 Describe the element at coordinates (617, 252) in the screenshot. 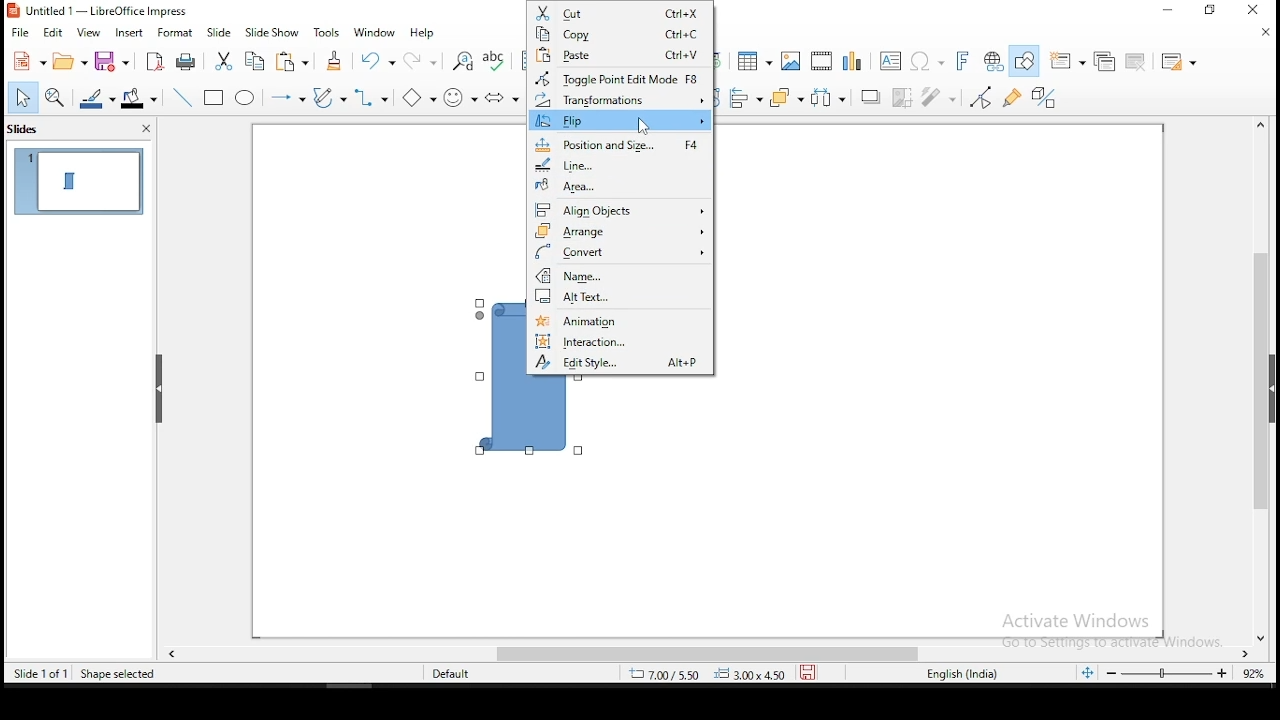

I see `convert` at that location.